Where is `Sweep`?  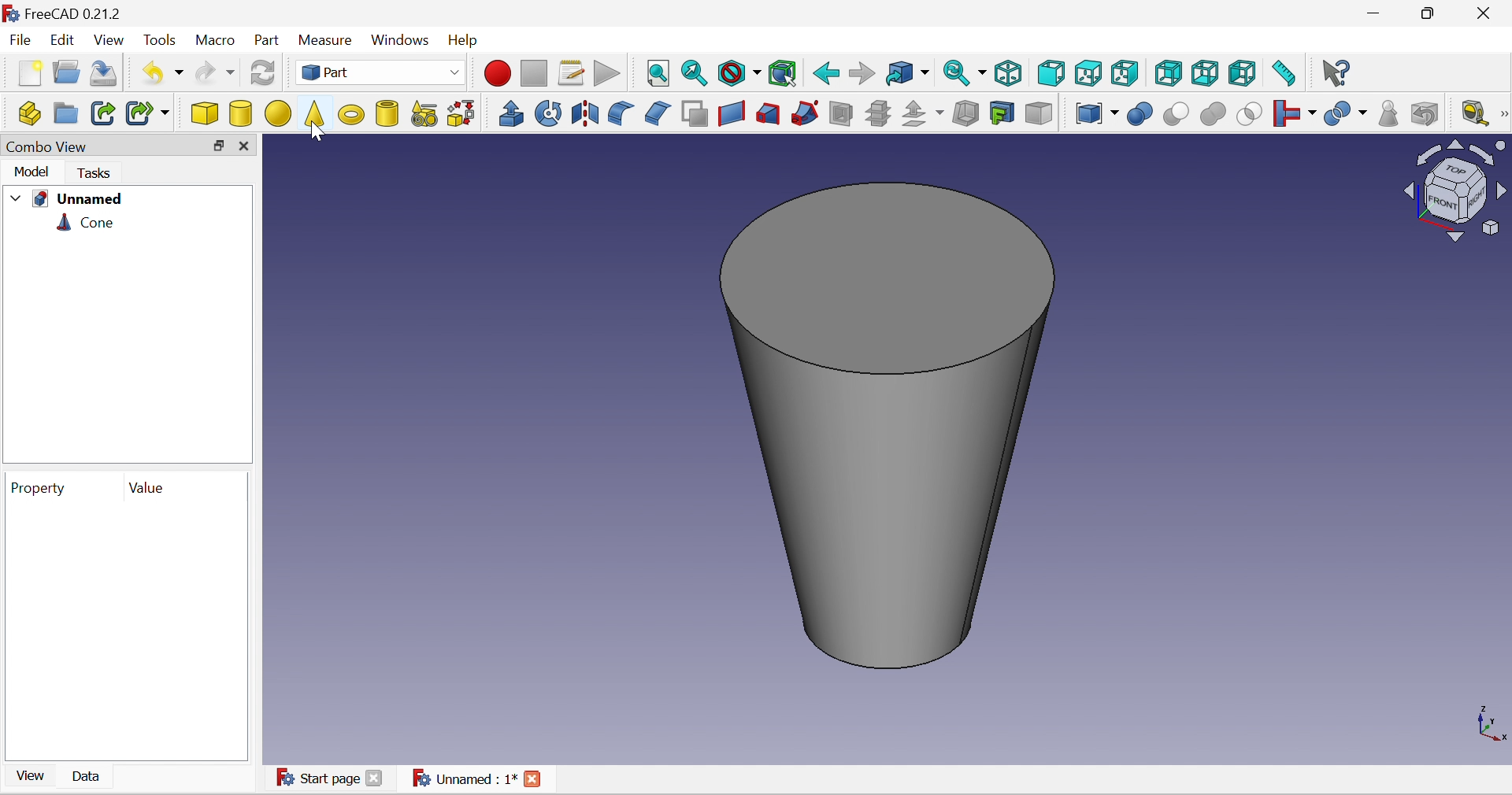 Sweep is located at coordinates (802, 113).